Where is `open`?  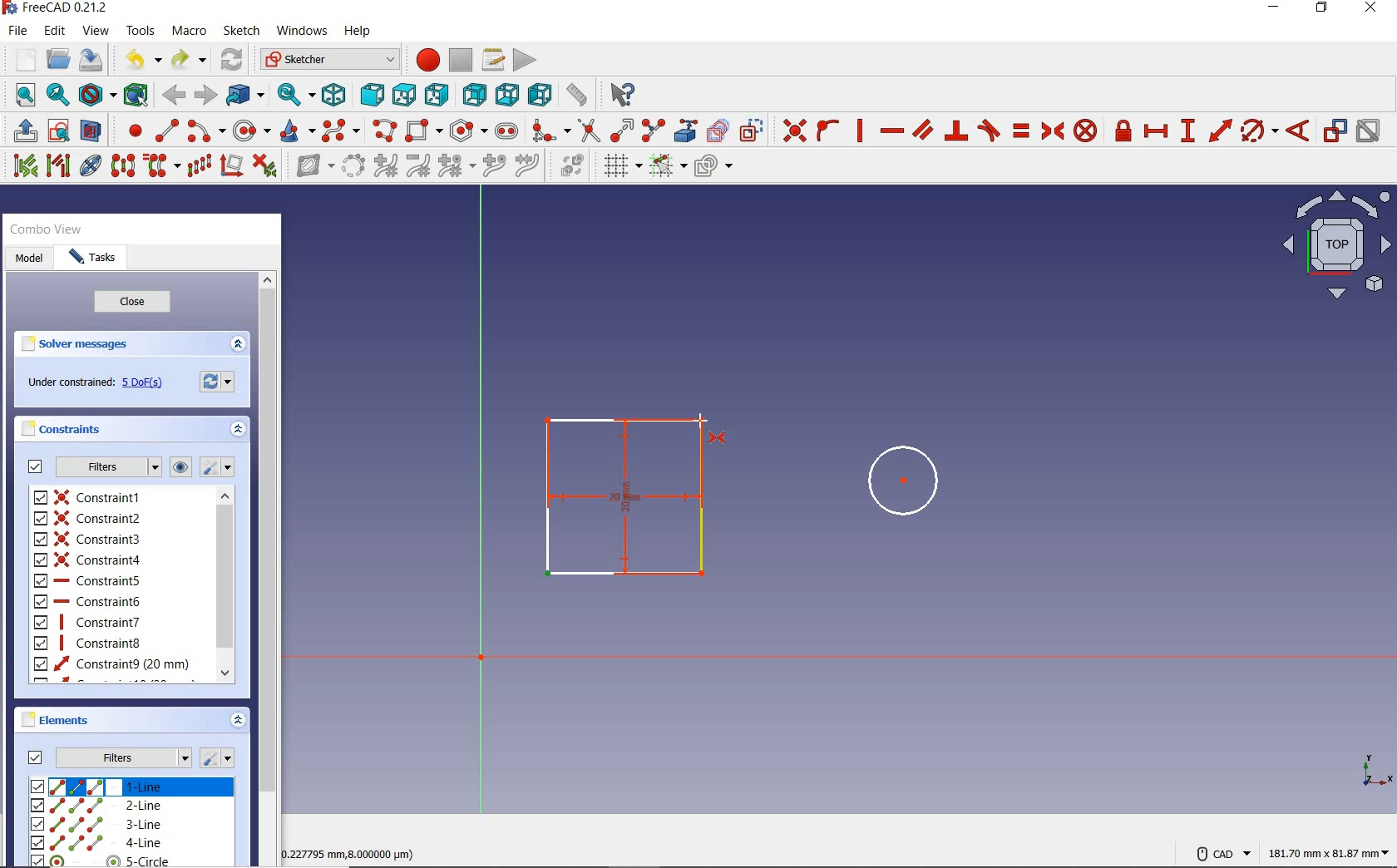
open is located at coordinates (58, 57).